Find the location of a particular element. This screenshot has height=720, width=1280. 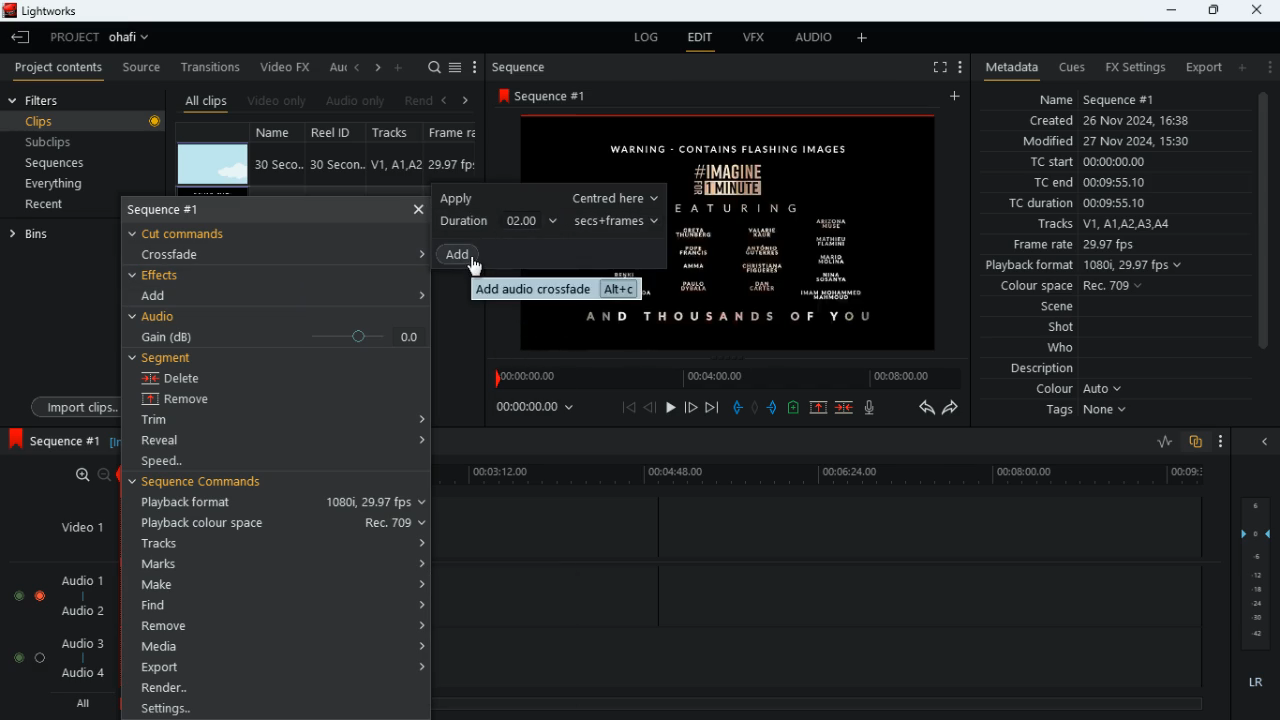

sequence is located at coordinates (181, 211).